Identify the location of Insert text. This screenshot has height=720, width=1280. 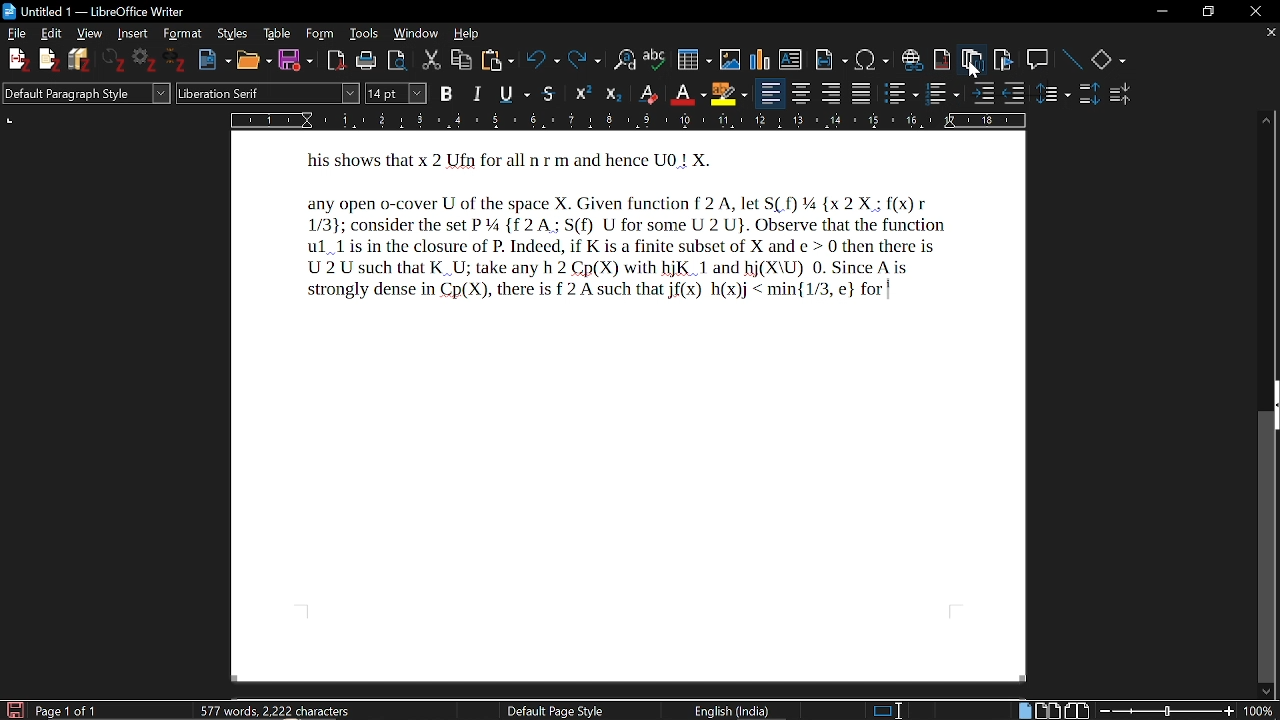
(792, 60).